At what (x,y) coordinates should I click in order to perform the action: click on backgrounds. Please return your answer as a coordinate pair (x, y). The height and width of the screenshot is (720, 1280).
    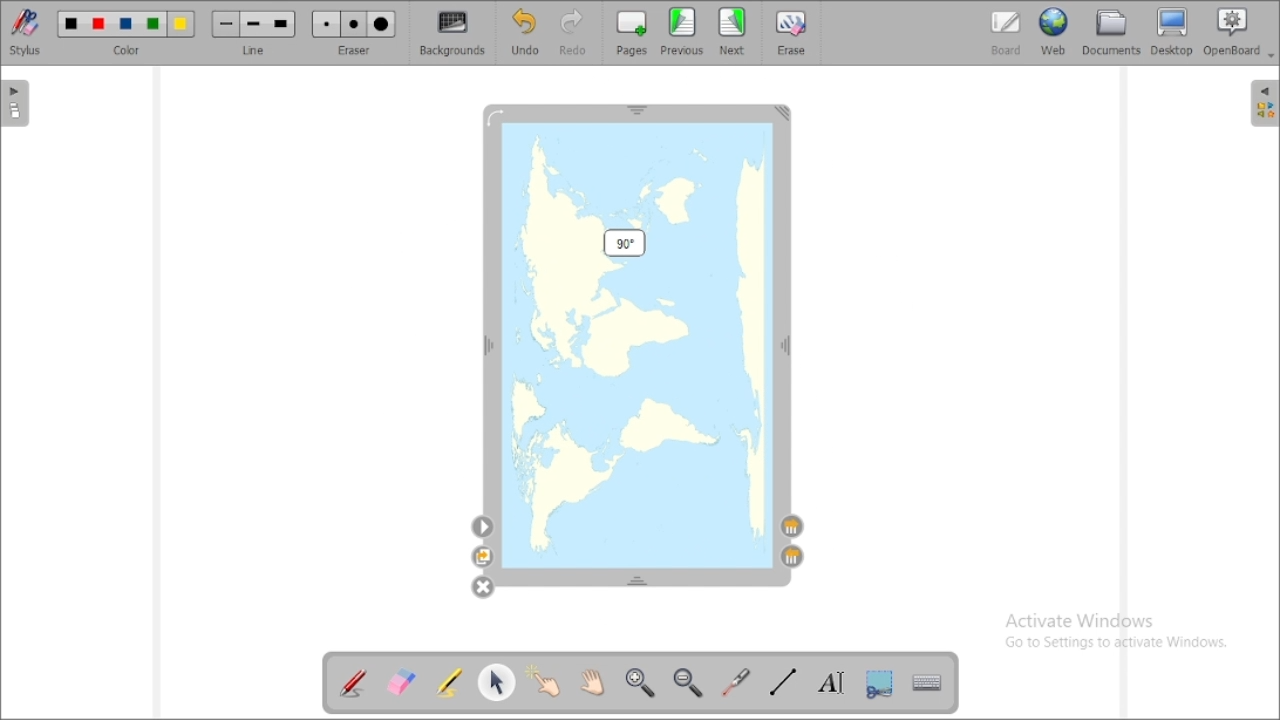
    Looking at the image, I should click on (451, 33).